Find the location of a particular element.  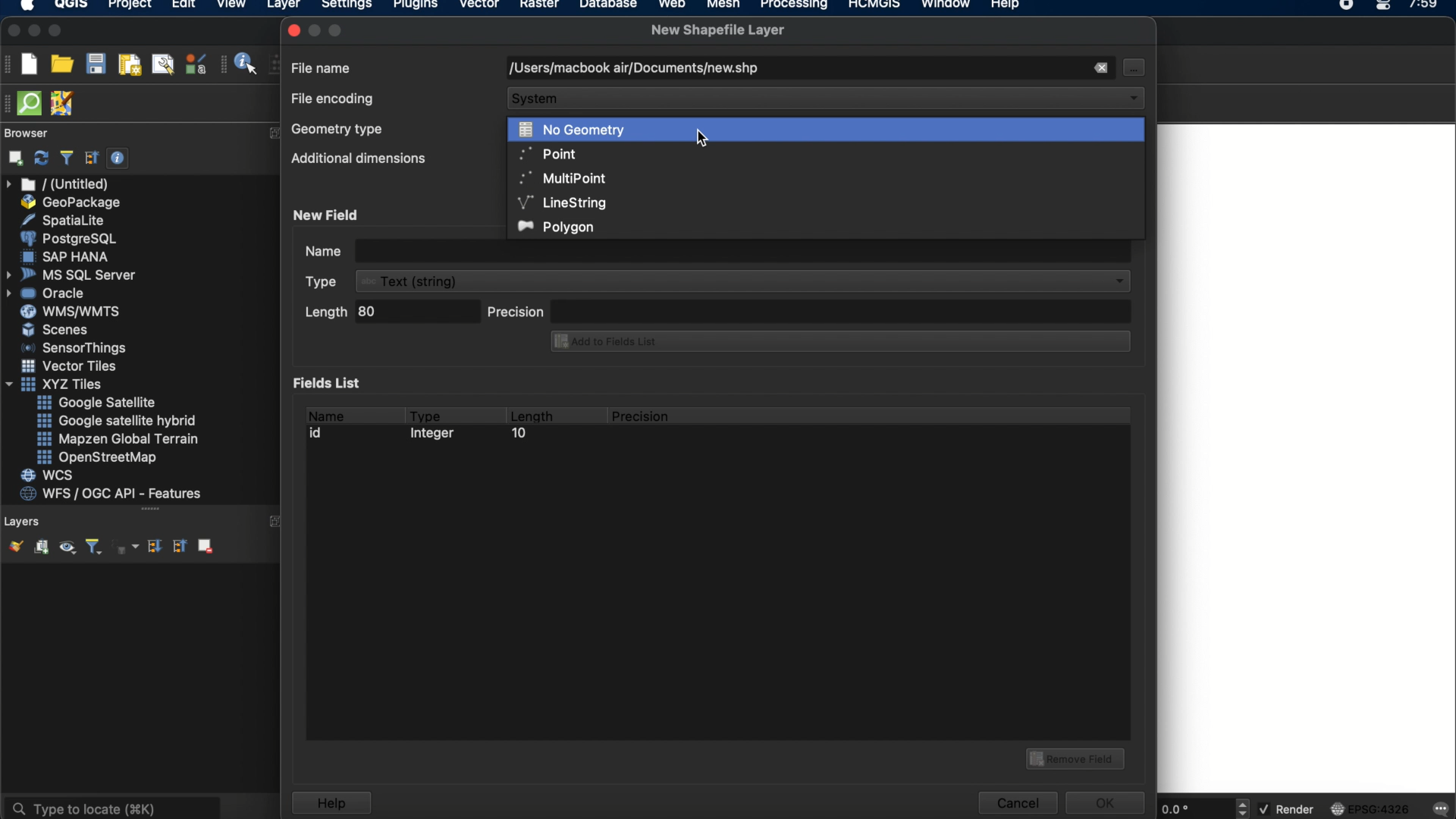

vector is located at coordinates (480, 6).